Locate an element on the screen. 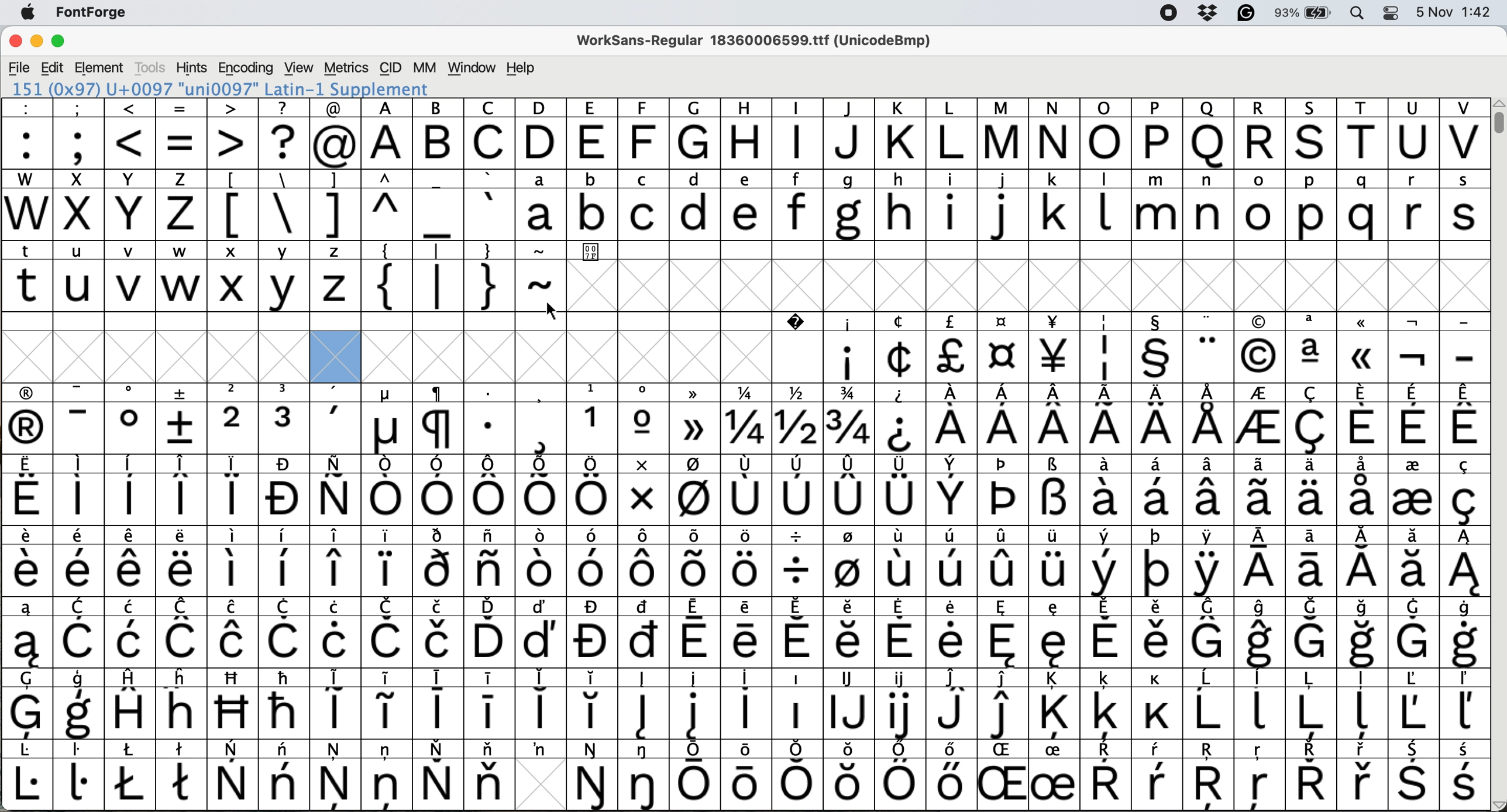 The image size is (1507, 812). symbol is located at coordinates (849, 703).